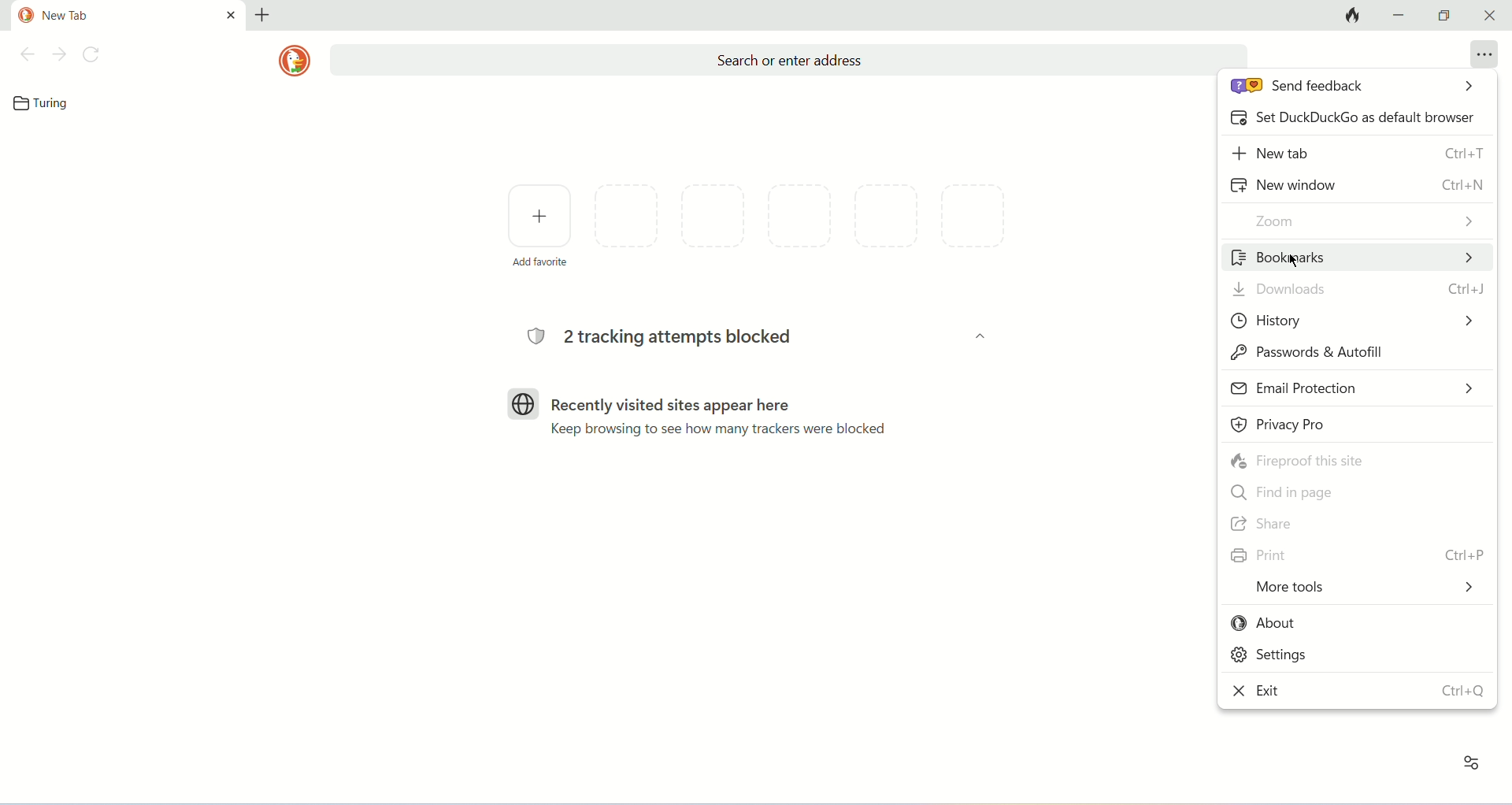 This screenshot has height=805, width=1512. I want to click on privacy pro, so click(1354, 429).